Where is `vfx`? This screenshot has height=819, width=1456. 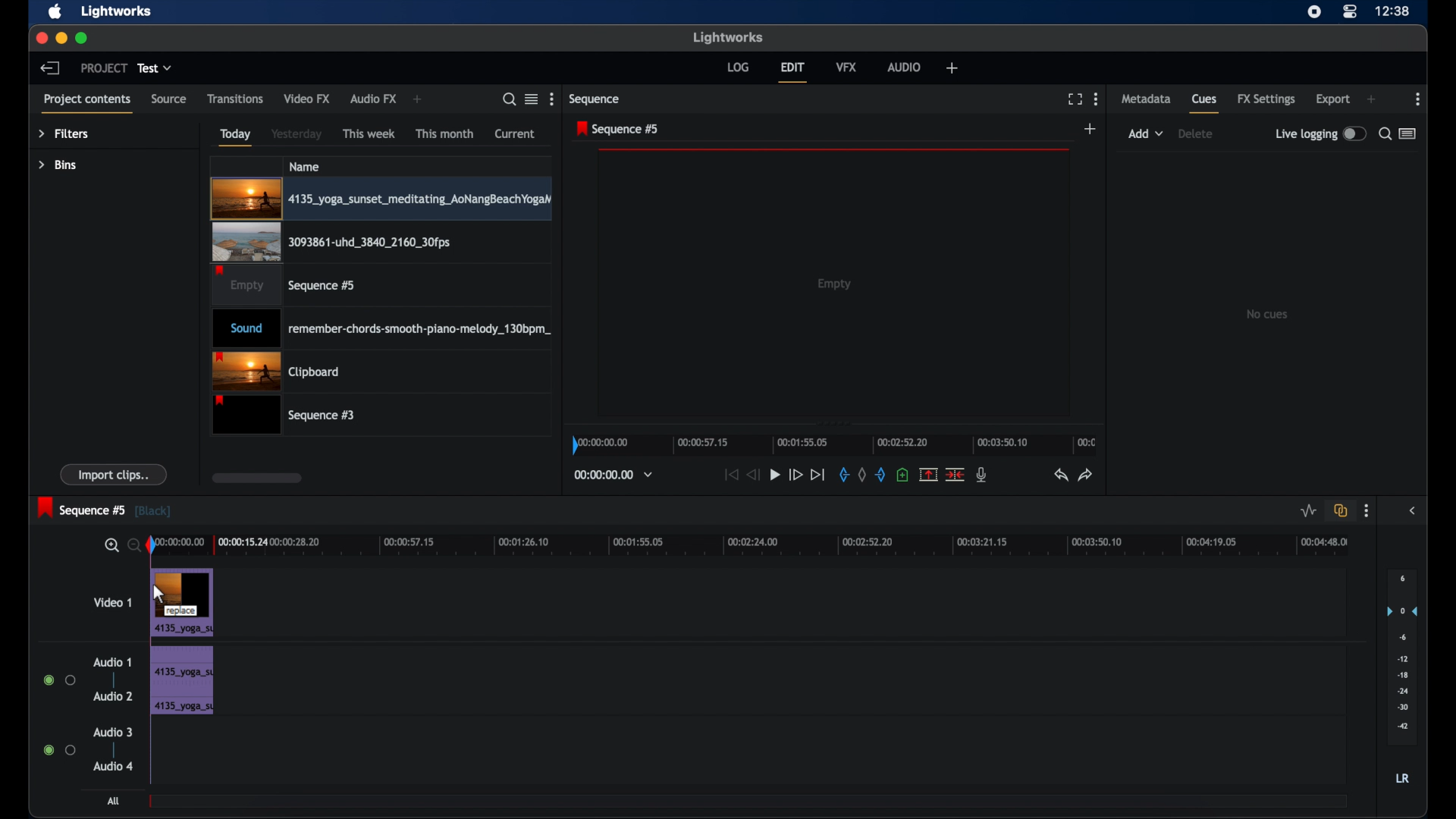 vfx is located at coordinates (846, 66).